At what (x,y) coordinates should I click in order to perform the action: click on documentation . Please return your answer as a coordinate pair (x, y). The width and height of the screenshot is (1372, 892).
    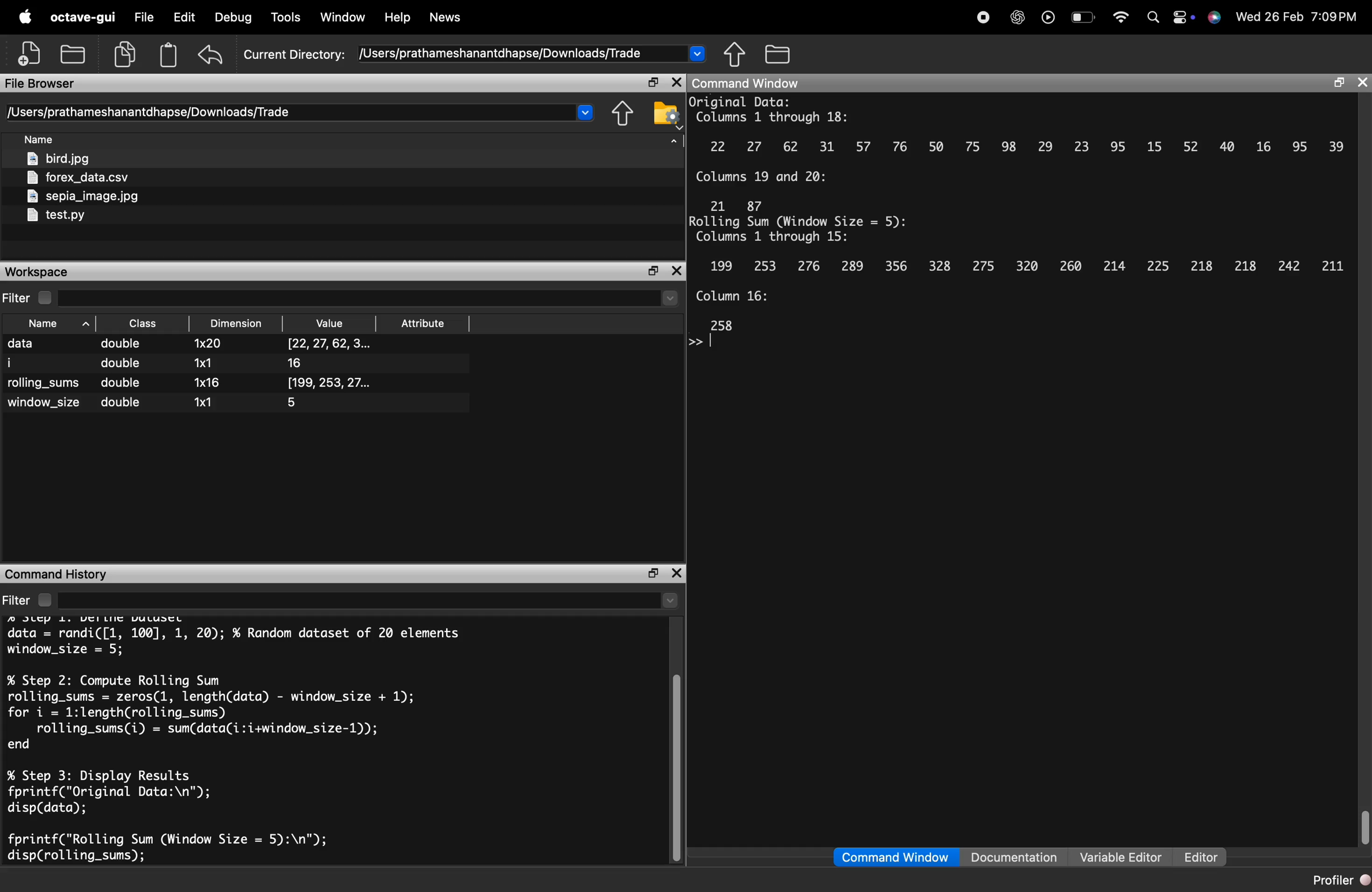
    Looking at the image, I should click on (1015, 856).